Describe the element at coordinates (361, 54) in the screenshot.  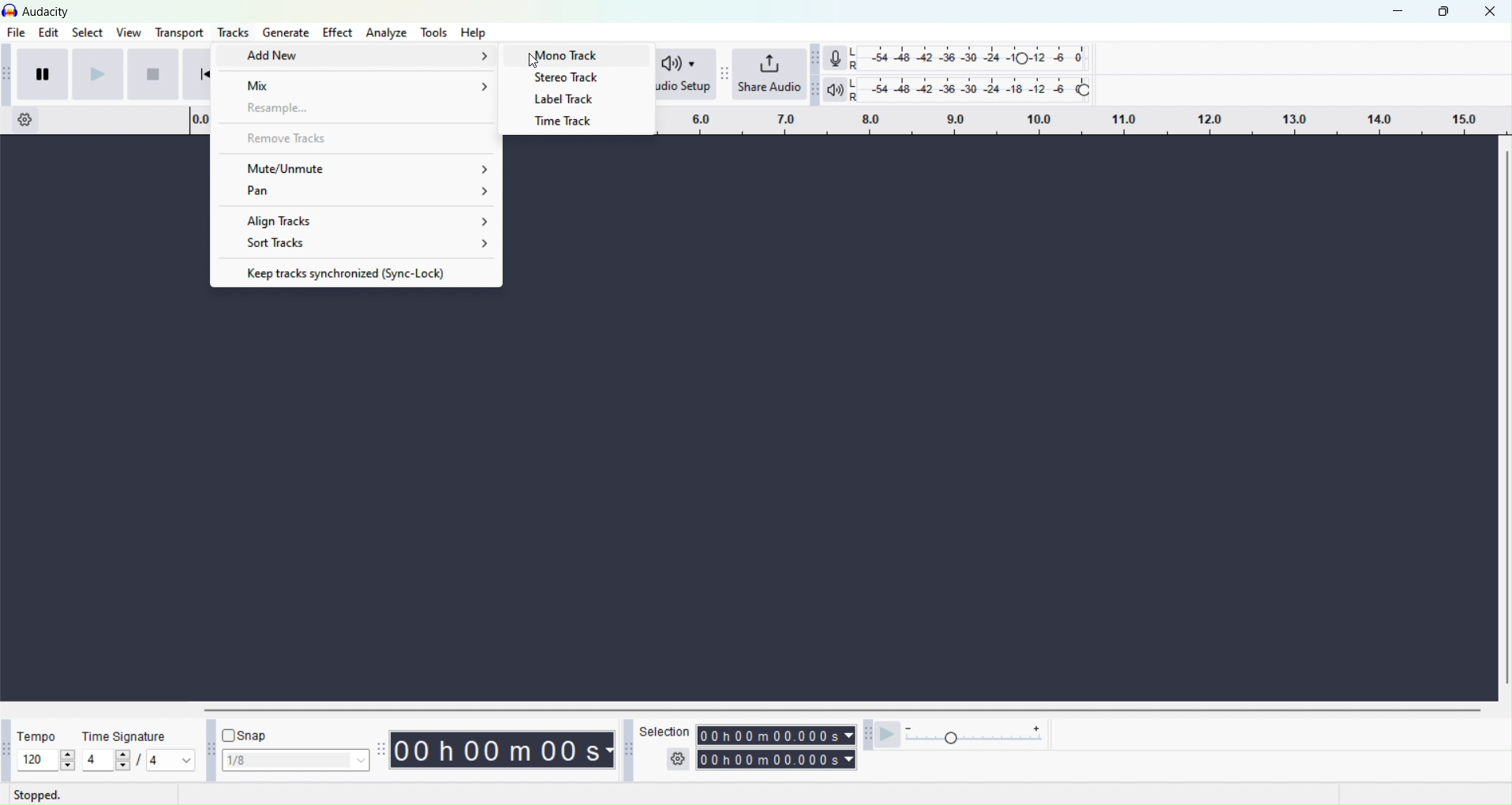
I see `Add new` at that location.